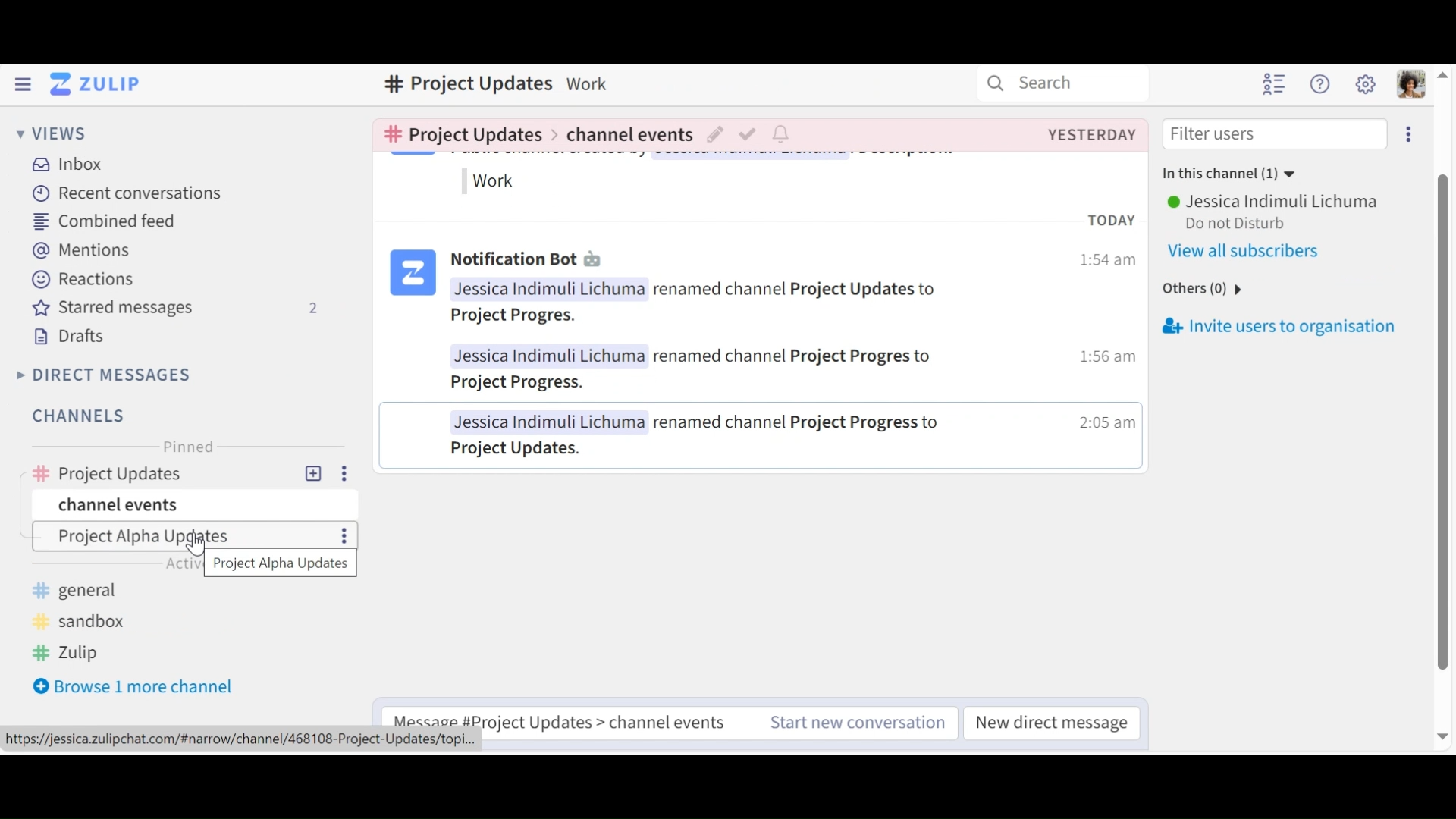 The image size is (1456, 819). Describe the element at coordinates (185, 536) in the screenshot. I see `Channel Topic` at that location.